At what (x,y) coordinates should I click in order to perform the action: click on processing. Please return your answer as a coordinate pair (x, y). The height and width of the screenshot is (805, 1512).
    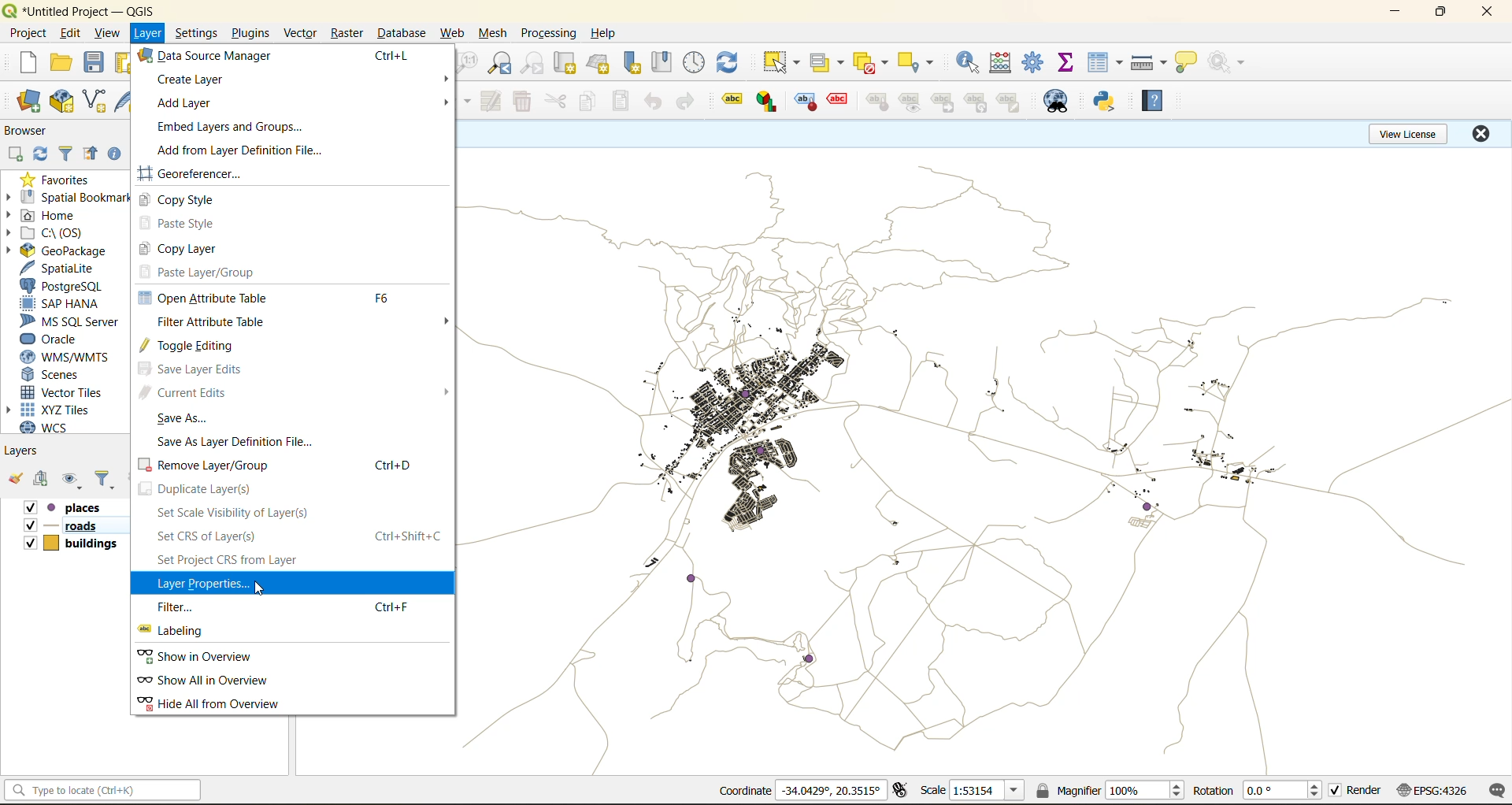
    Looking at the image, I should click on (548, 34).